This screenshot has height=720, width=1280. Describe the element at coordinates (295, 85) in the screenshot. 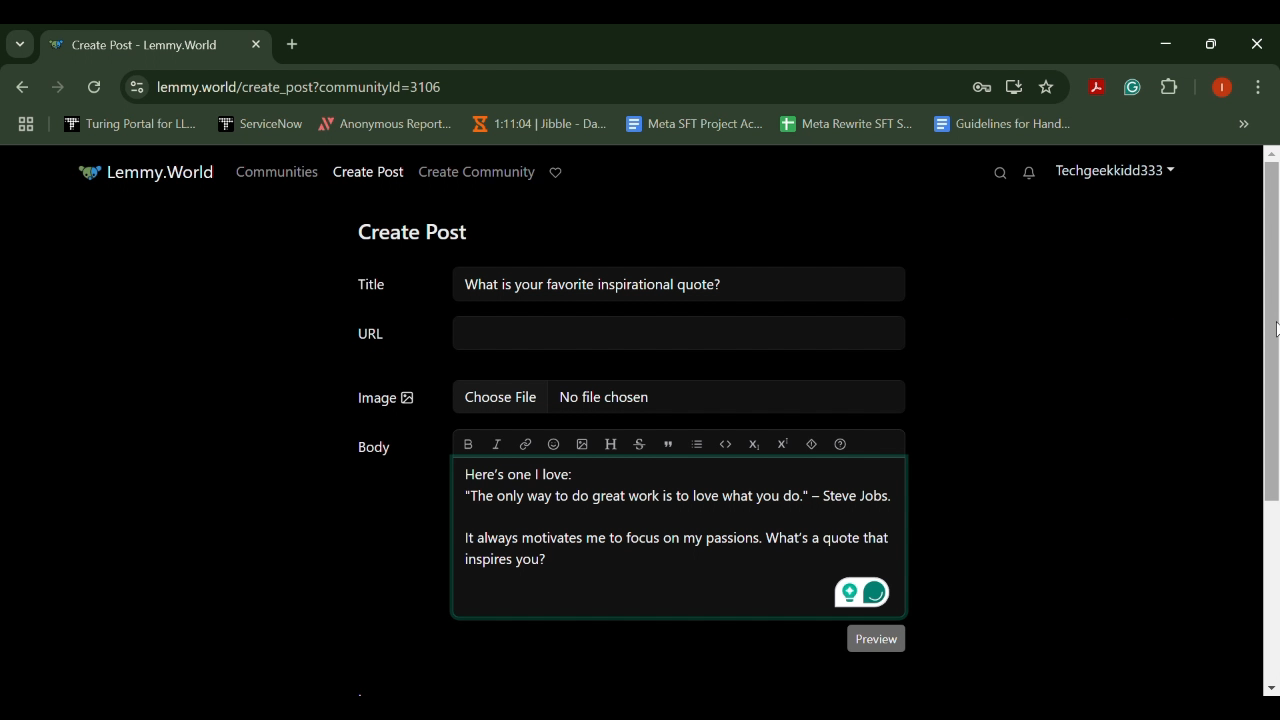

I see `lemmy.world/create_post?communityld=3106` at that location.